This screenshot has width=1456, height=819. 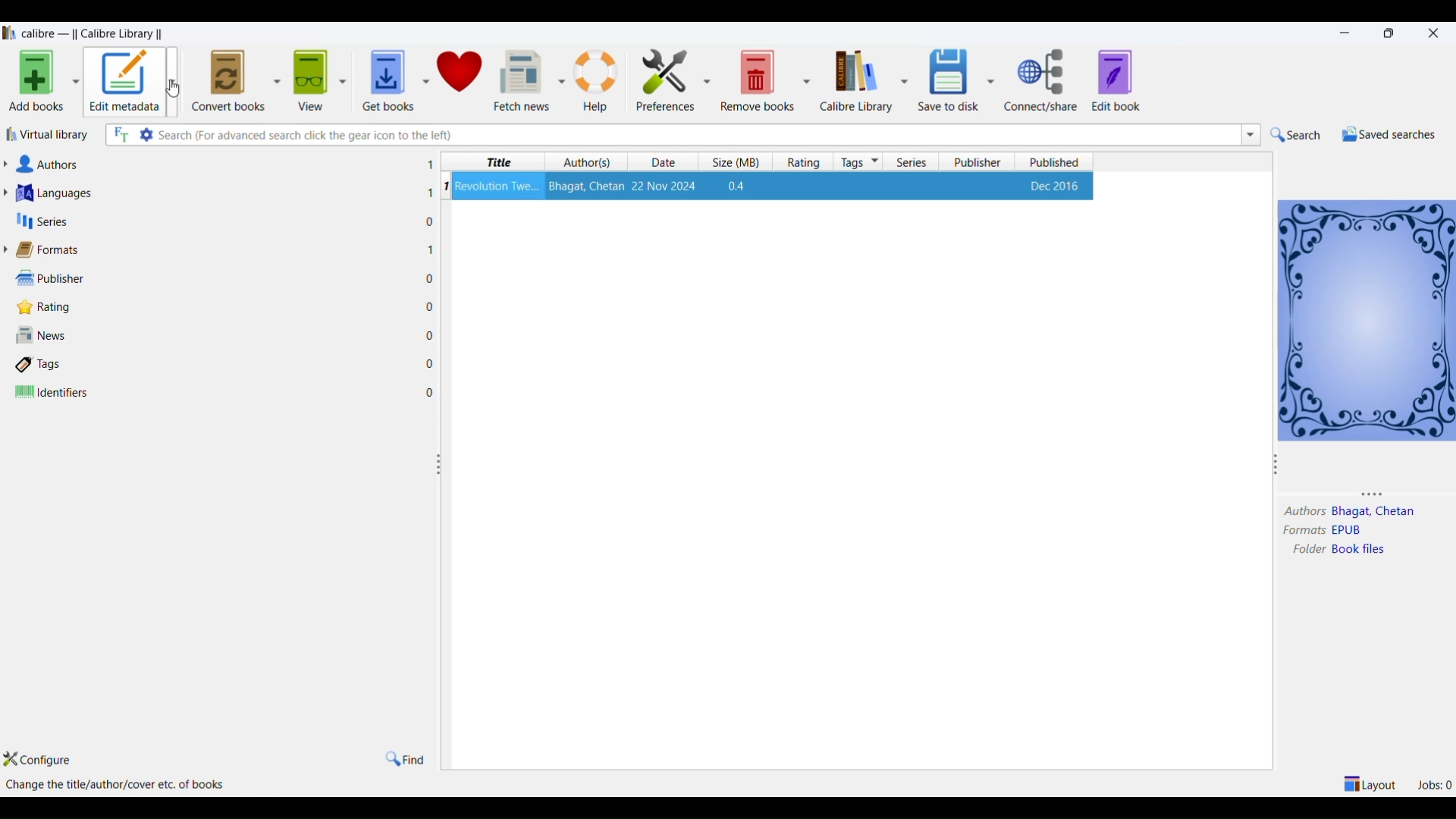 What do you see at coordinates (1296, 135) in the screenshot?
I see `search` at bounding box center [1296, 135].